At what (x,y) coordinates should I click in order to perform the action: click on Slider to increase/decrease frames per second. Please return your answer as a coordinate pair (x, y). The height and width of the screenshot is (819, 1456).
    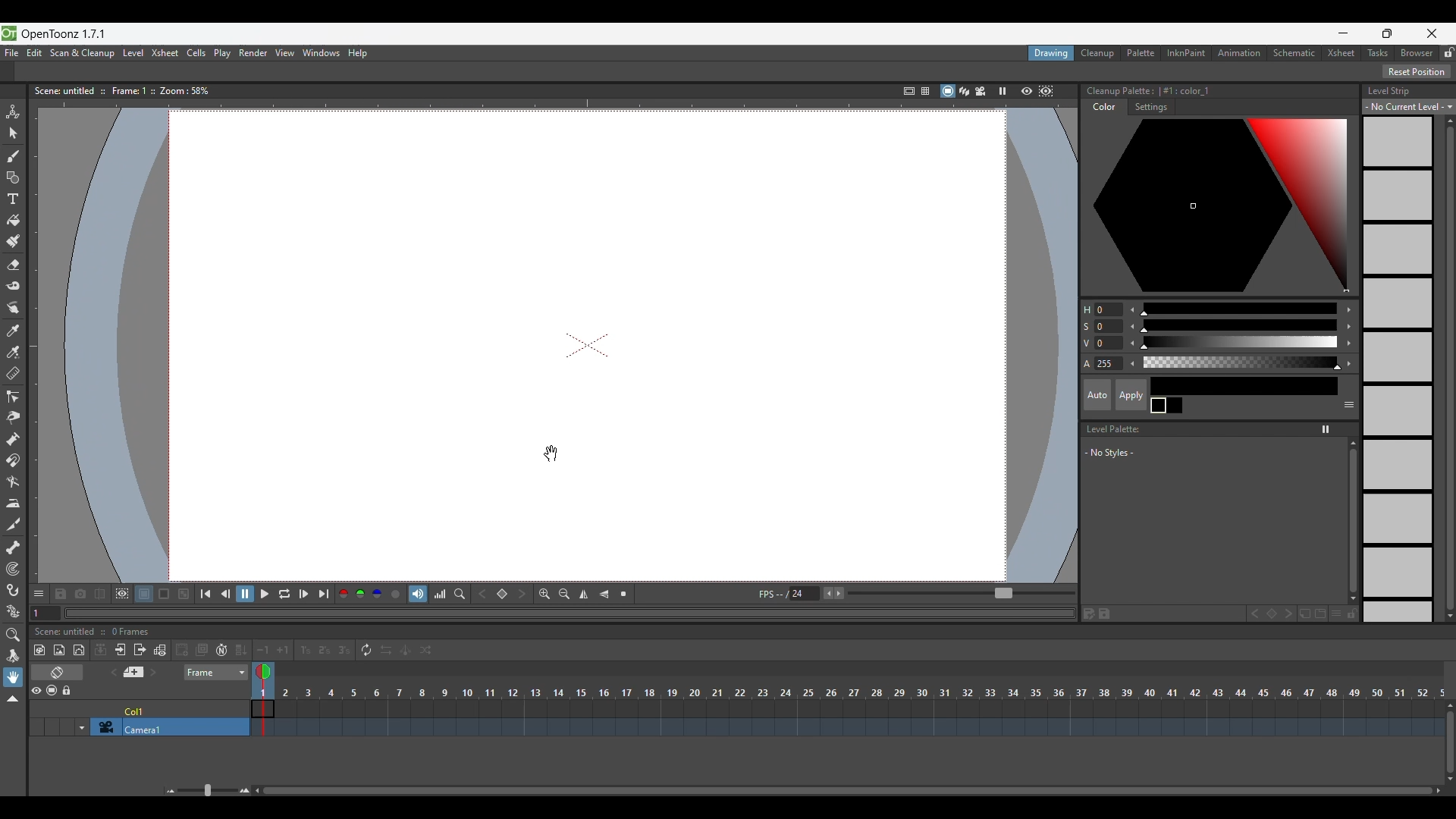
    Looking at the image, I should click on (962, 593).